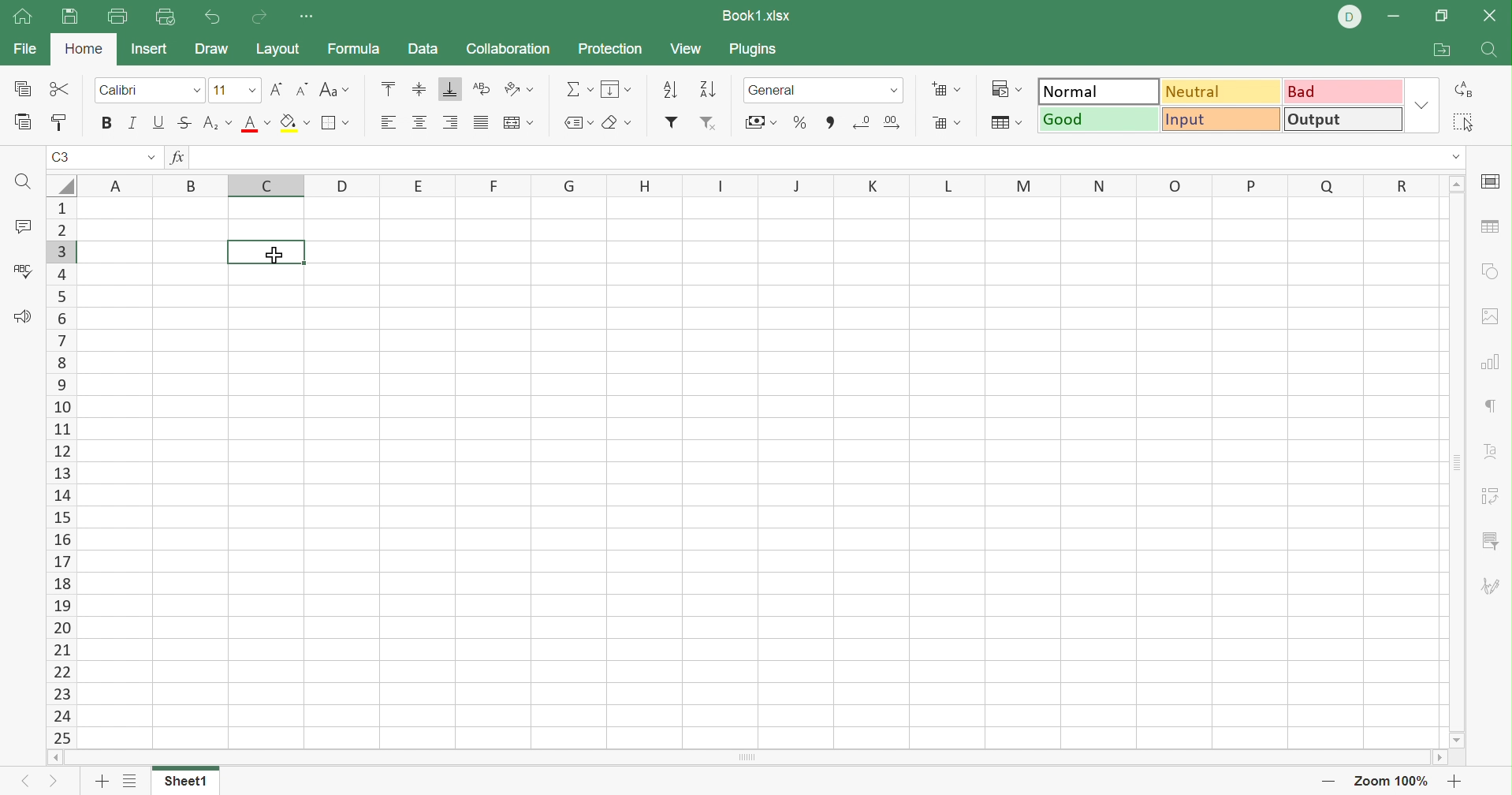 This screenshot has width=1512, height=795. What do you see at coordinates (188, 782) in the screenshot?
I see `Sheet1` at bounding box center [188, 782].